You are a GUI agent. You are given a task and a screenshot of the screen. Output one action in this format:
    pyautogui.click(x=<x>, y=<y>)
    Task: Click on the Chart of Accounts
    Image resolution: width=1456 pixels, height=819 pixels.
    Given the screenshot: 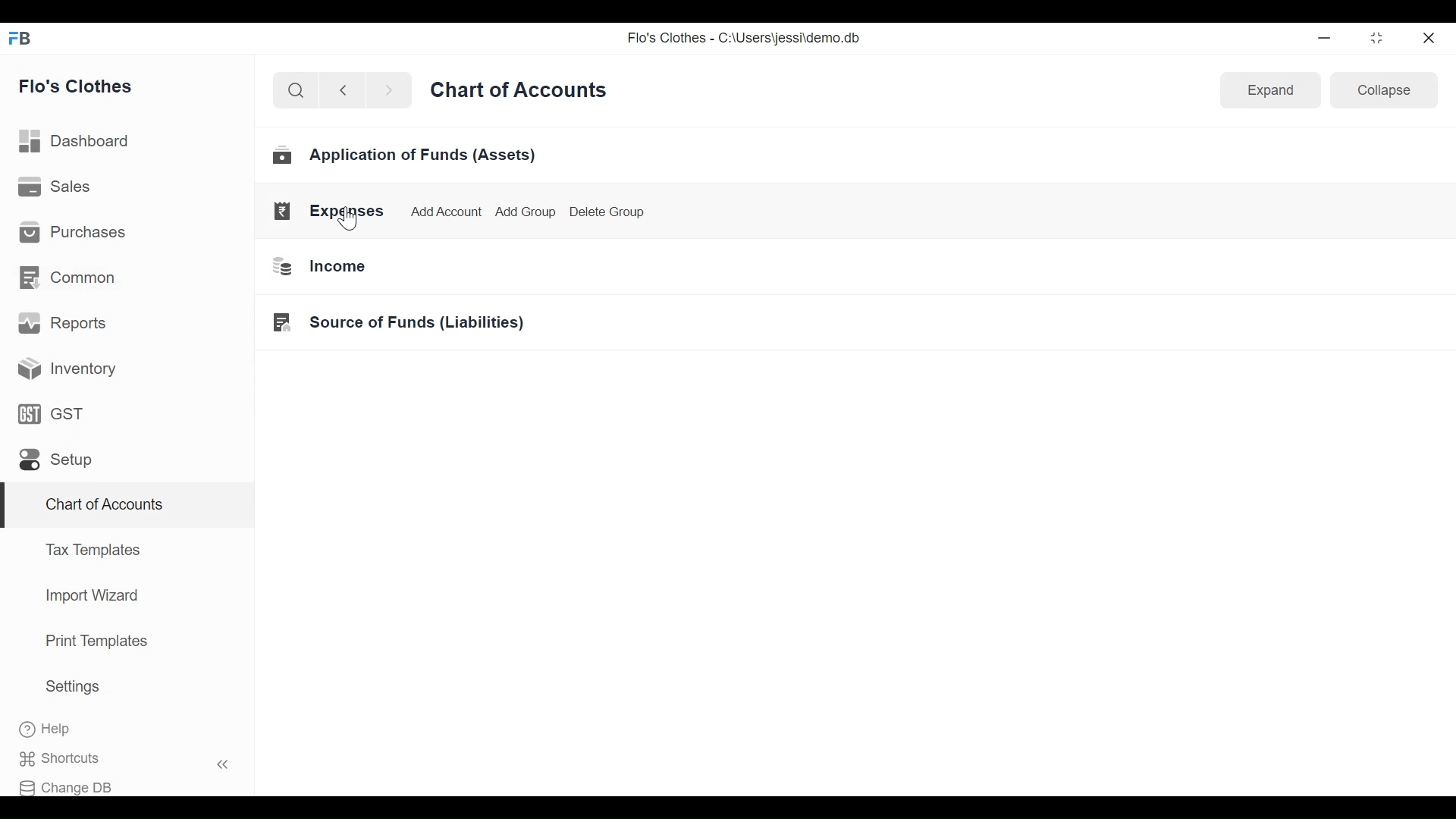 What is the action you would take?
    pyautogui.click(x=522, y=95)
    